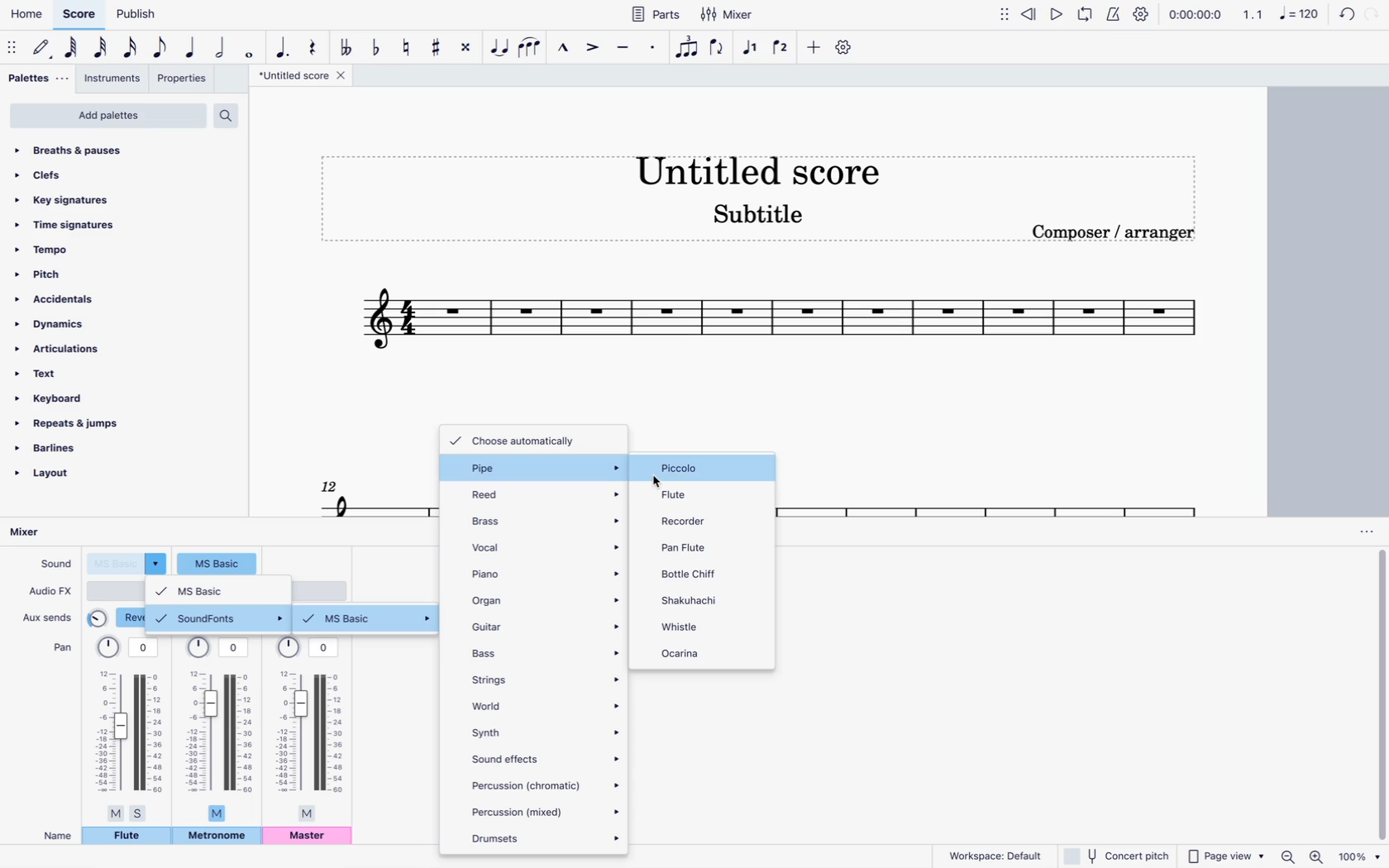 The height and width of the screenshot is (868, 1389). Describe the element at coordinates (1372, 16) in the screenshot. I see `forward` at that location.